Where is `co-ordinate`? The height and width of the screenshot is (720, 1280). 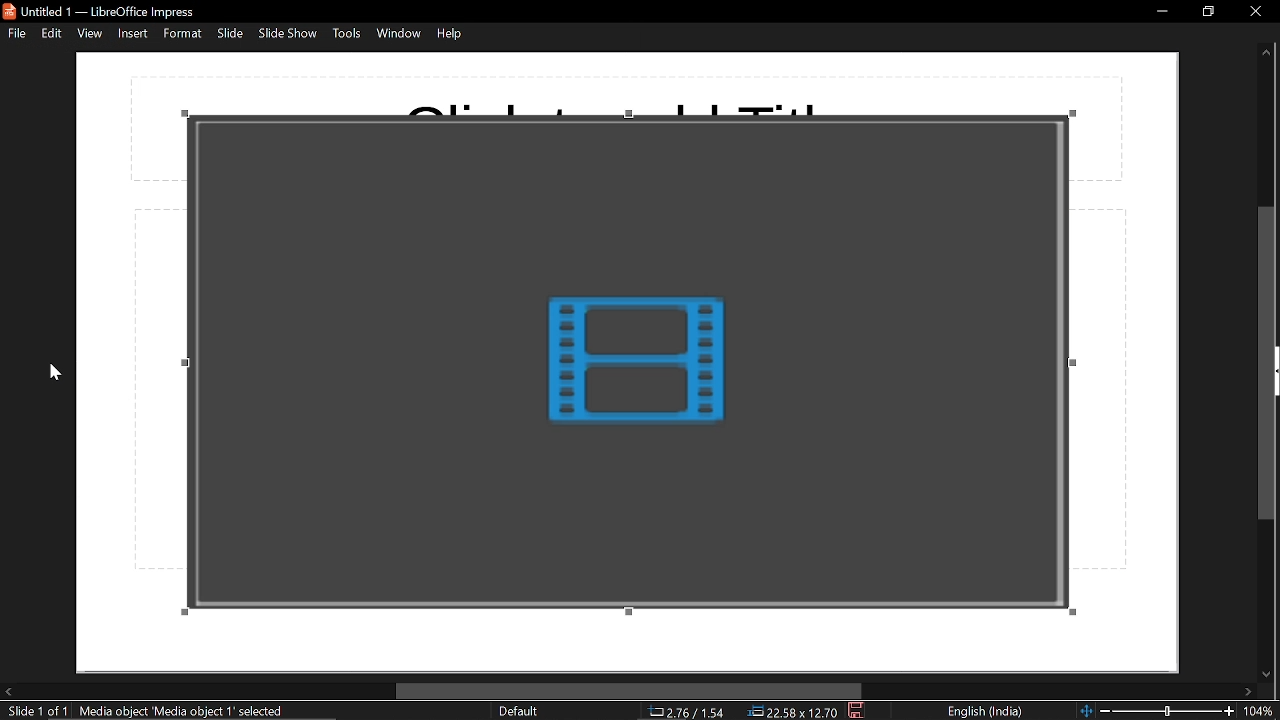 co-ordinate is located at coordinates (684, 713).